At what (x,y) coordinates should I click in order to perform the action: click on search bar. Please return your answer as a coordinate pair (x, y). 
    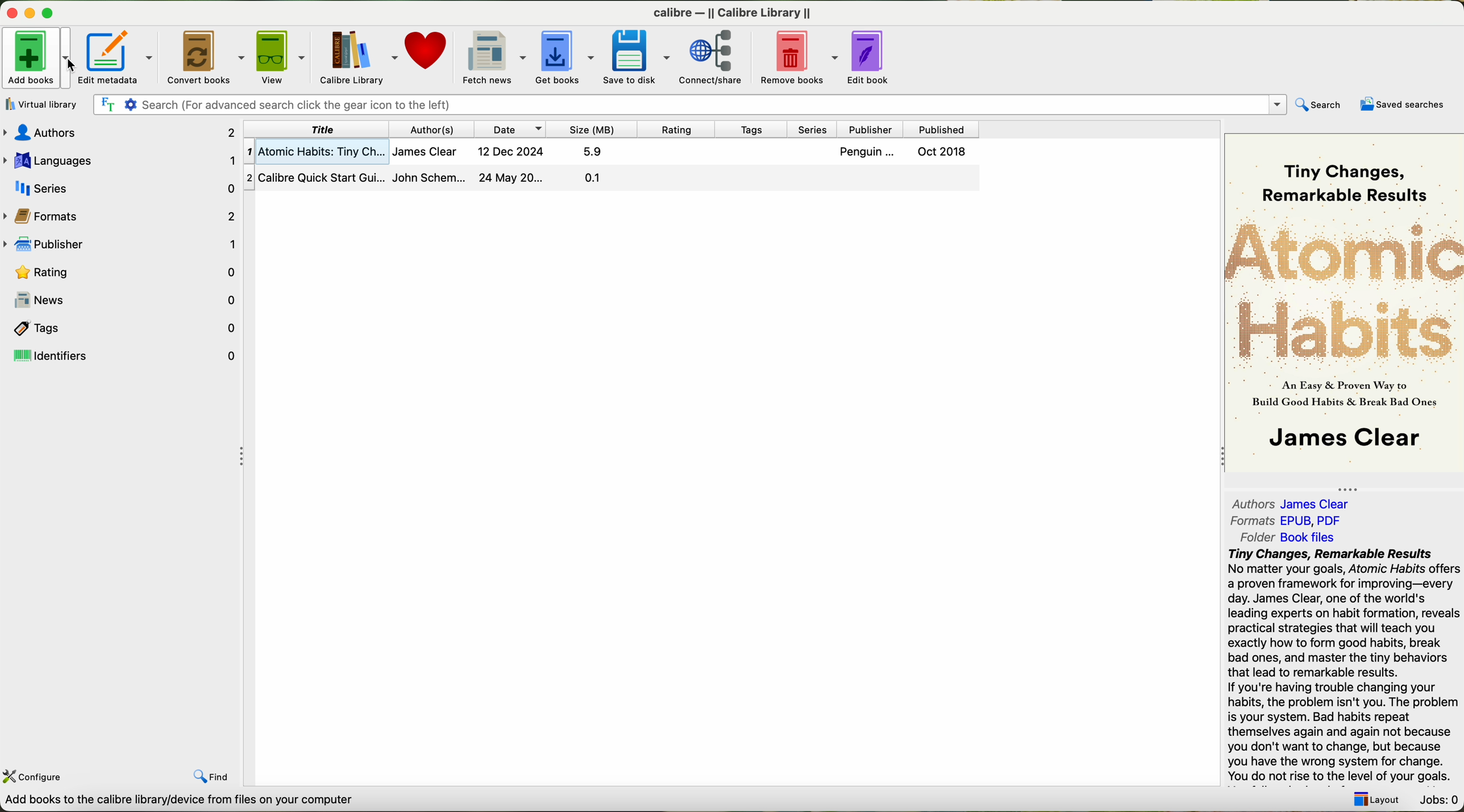
    Looking at the image, I should click on (693, 106).